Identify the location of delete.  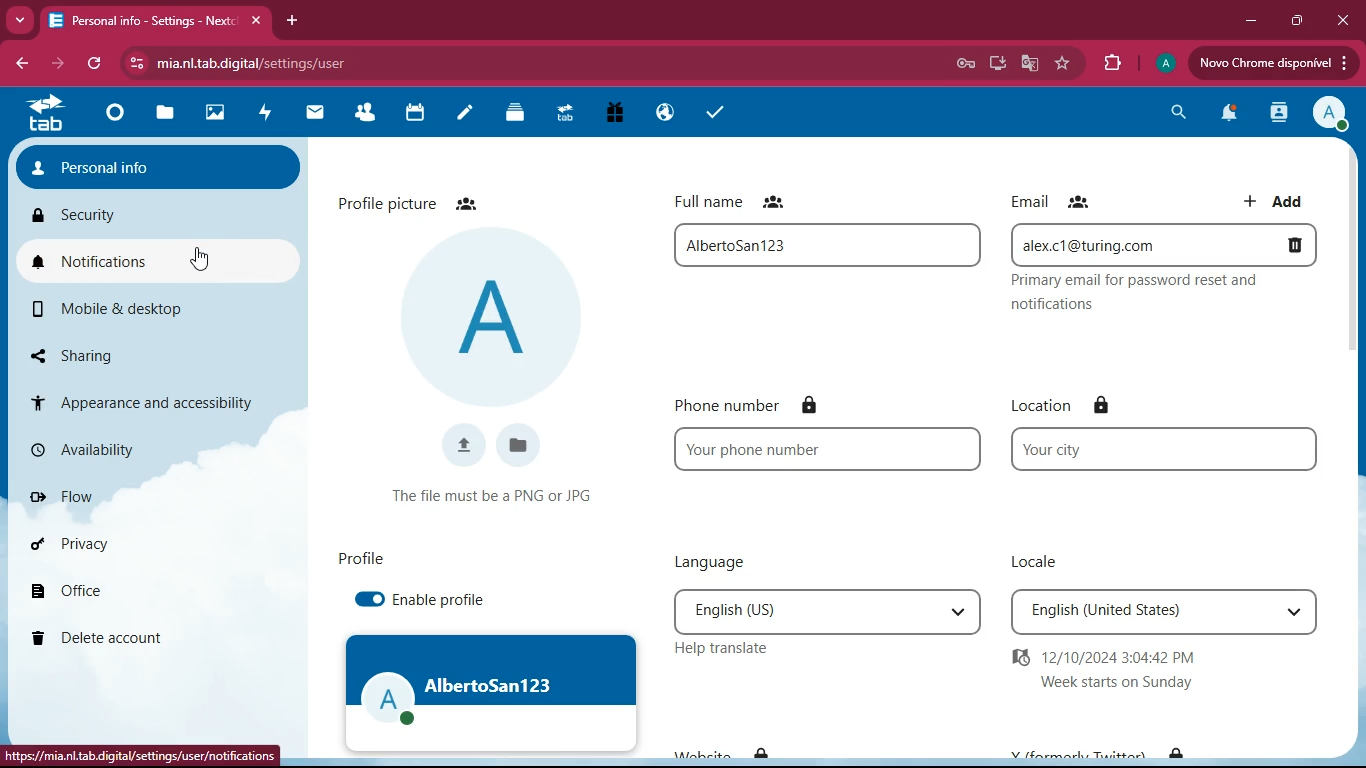
(105, 637).